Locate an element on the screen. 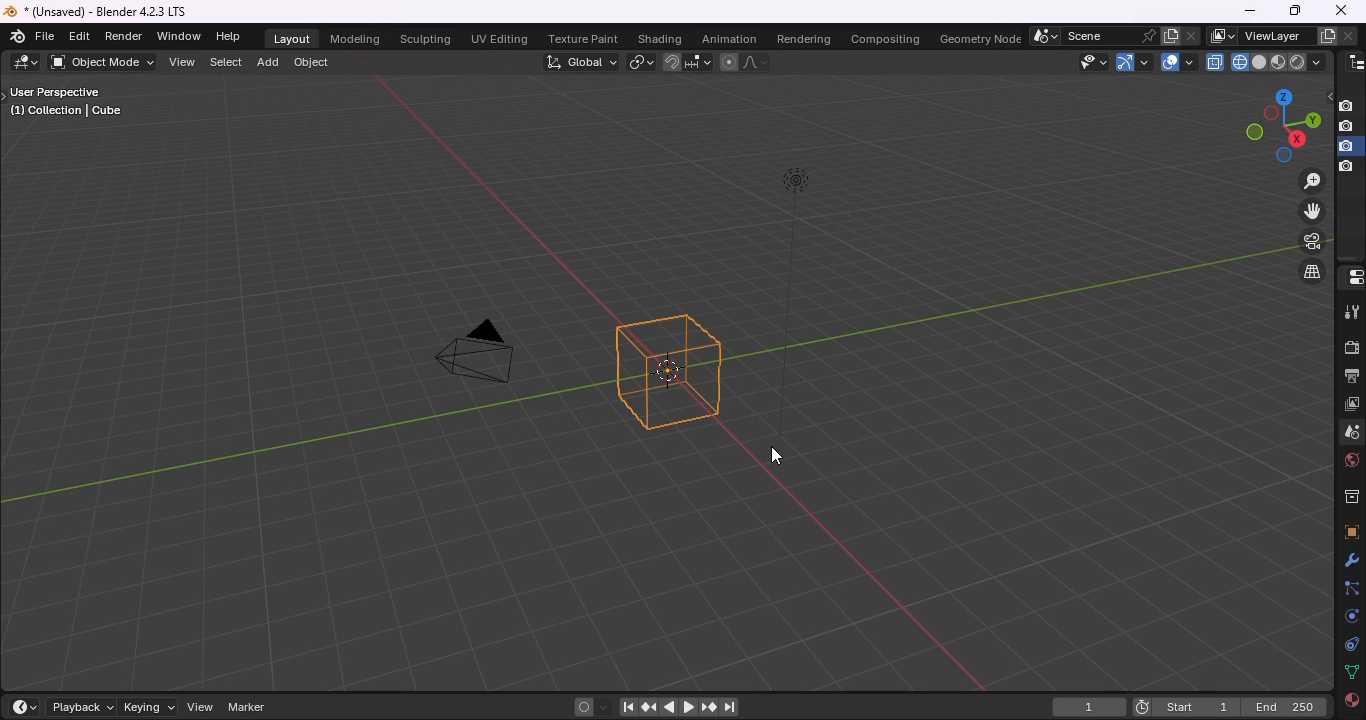 The height and width of the screenshot is (720, 1366). marker is located at coordinates (248, 707).